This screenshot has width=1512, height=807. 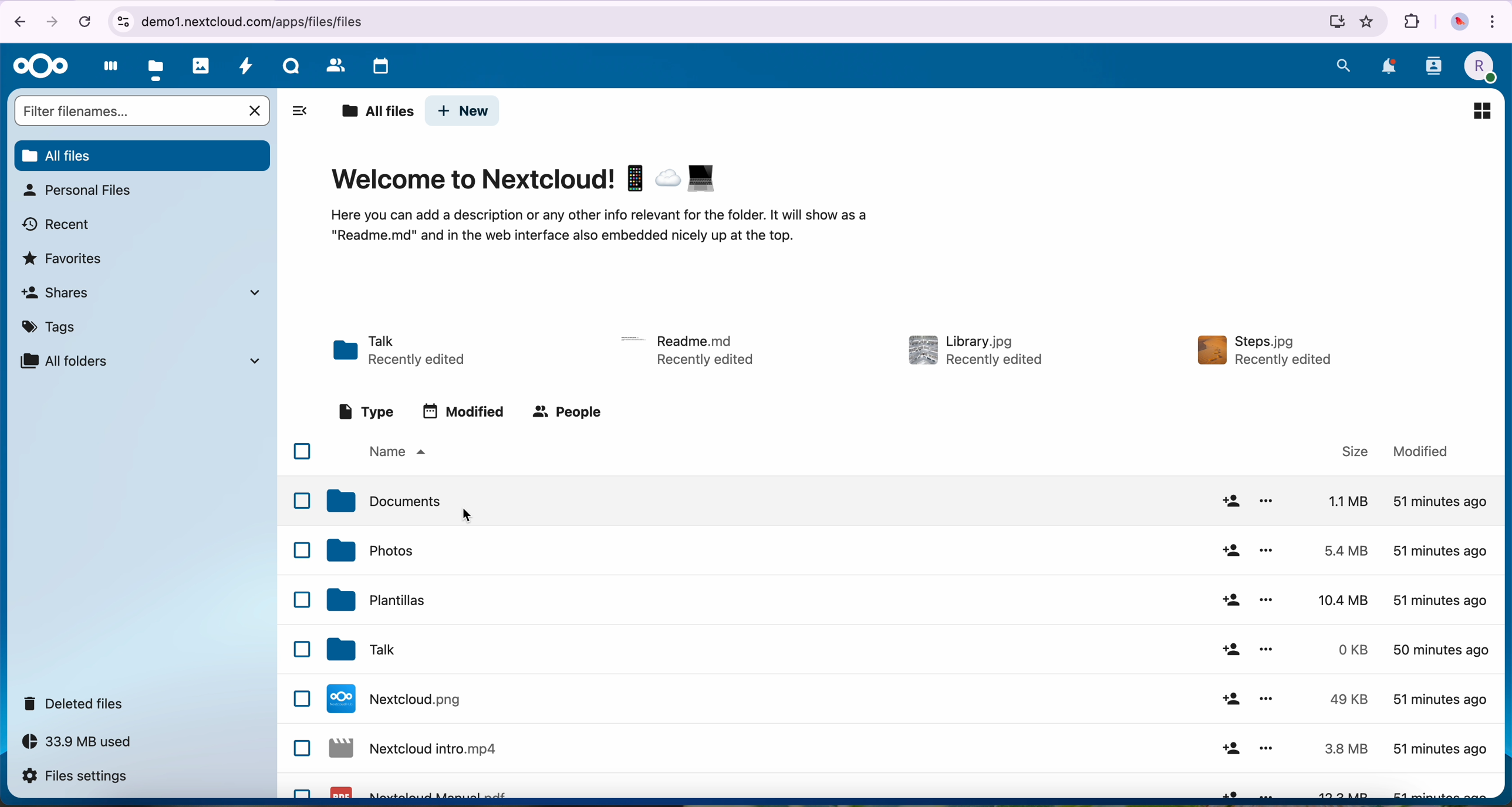 I want to click on size, so click(x=1344, y=551).